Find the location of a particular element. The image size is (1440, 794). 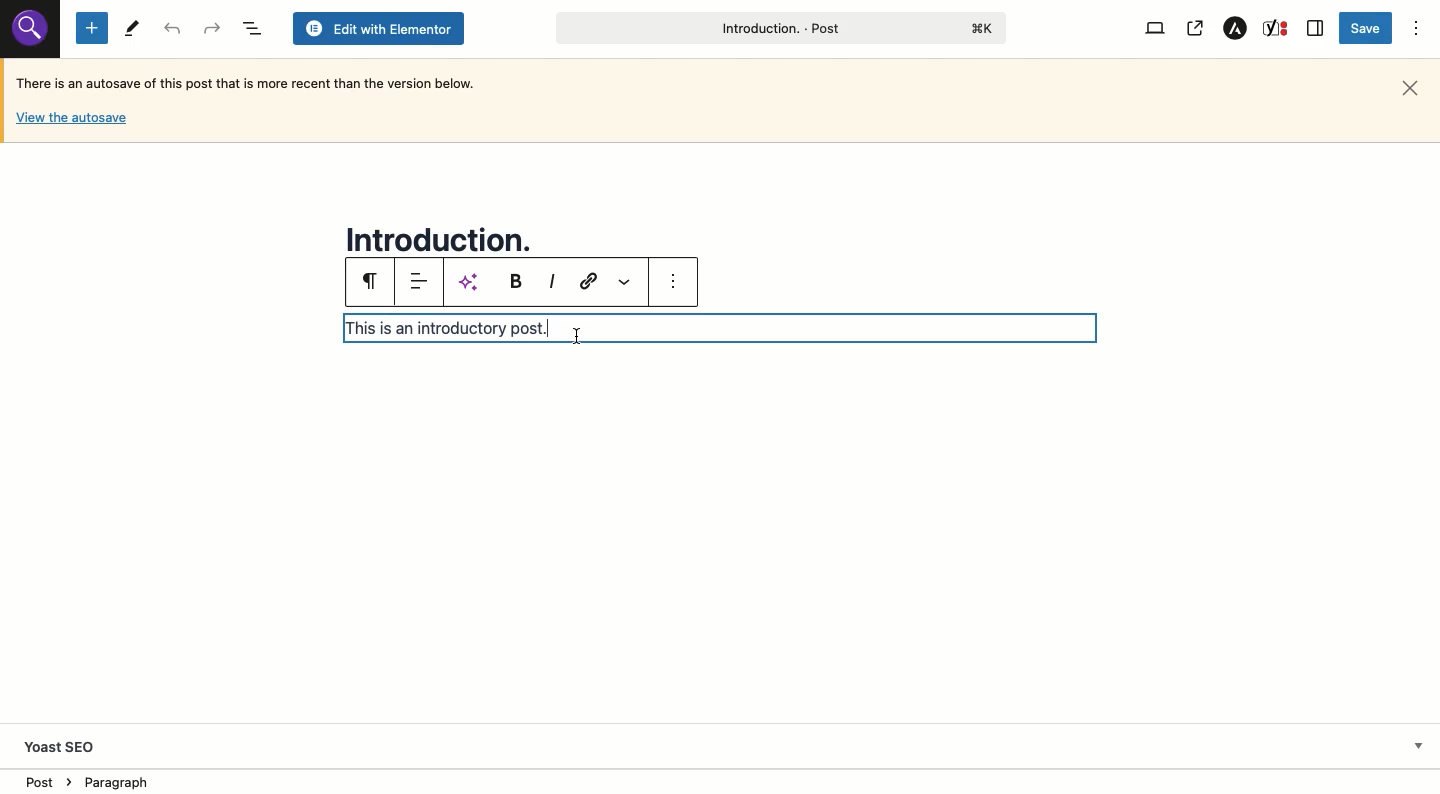

More is located at coordinates (625, 283).